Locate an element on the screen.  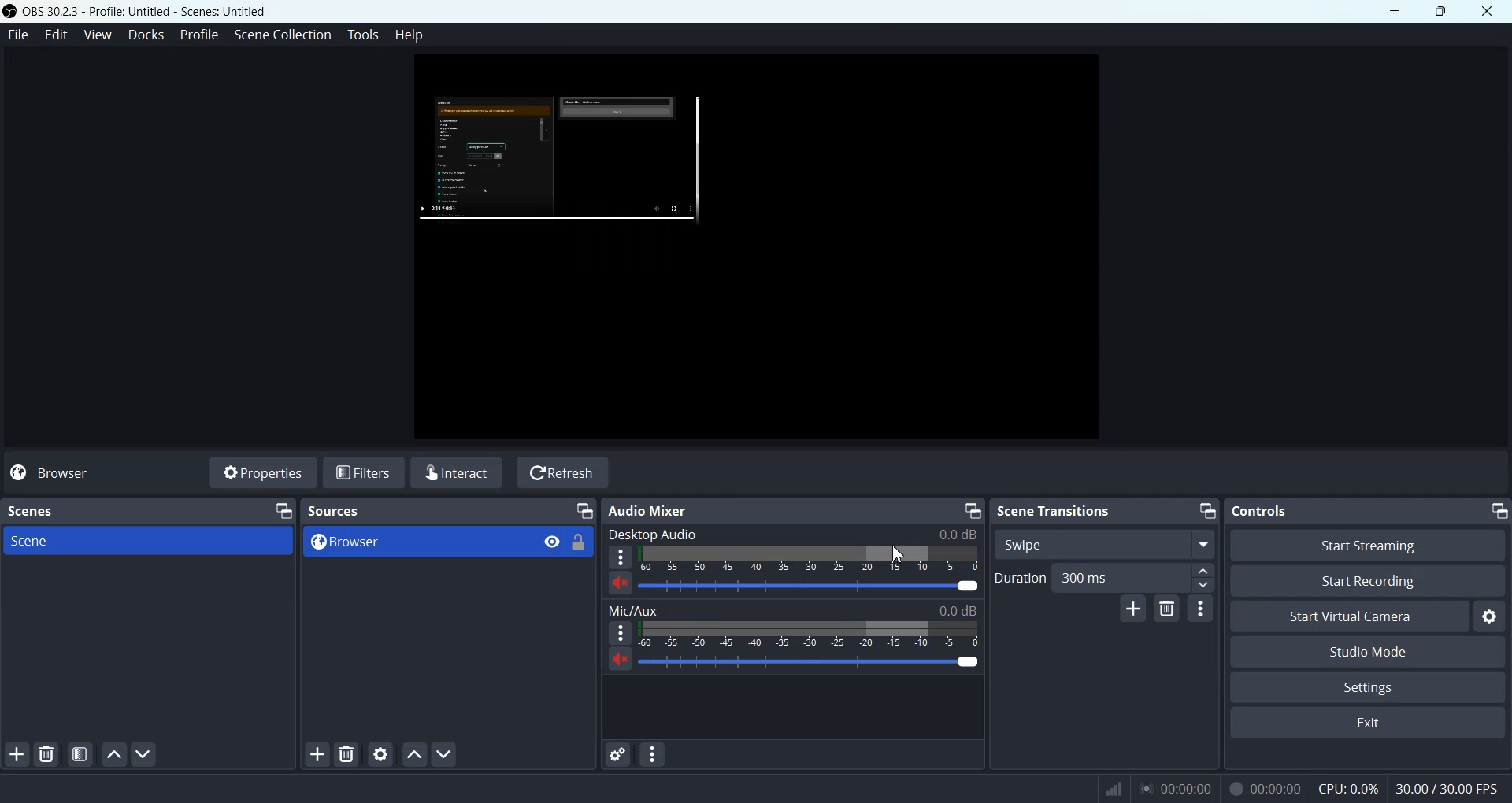
Volume Adjuster is located at coordinates (813, 586).